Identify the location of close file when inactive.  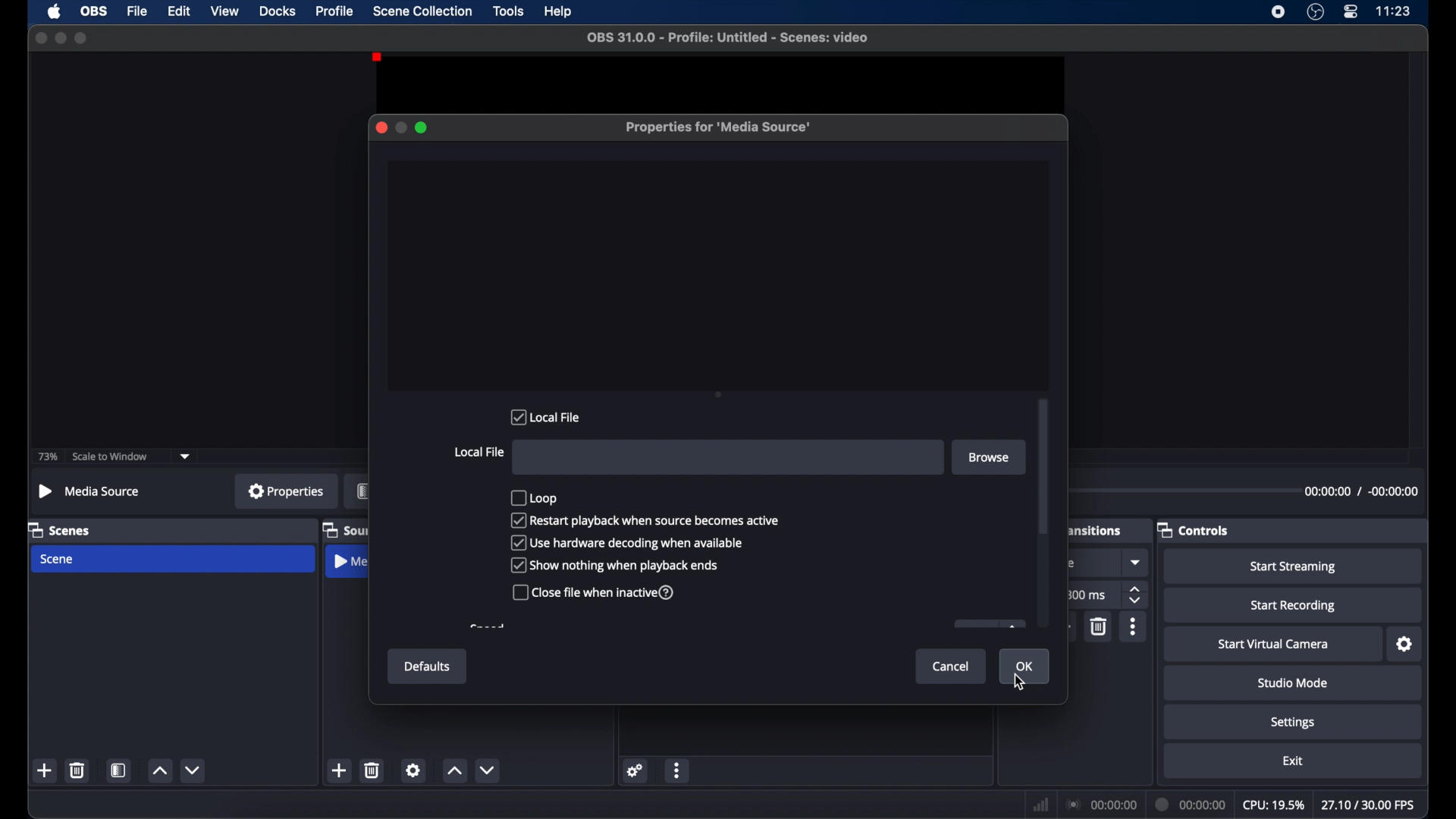
(593, 592).